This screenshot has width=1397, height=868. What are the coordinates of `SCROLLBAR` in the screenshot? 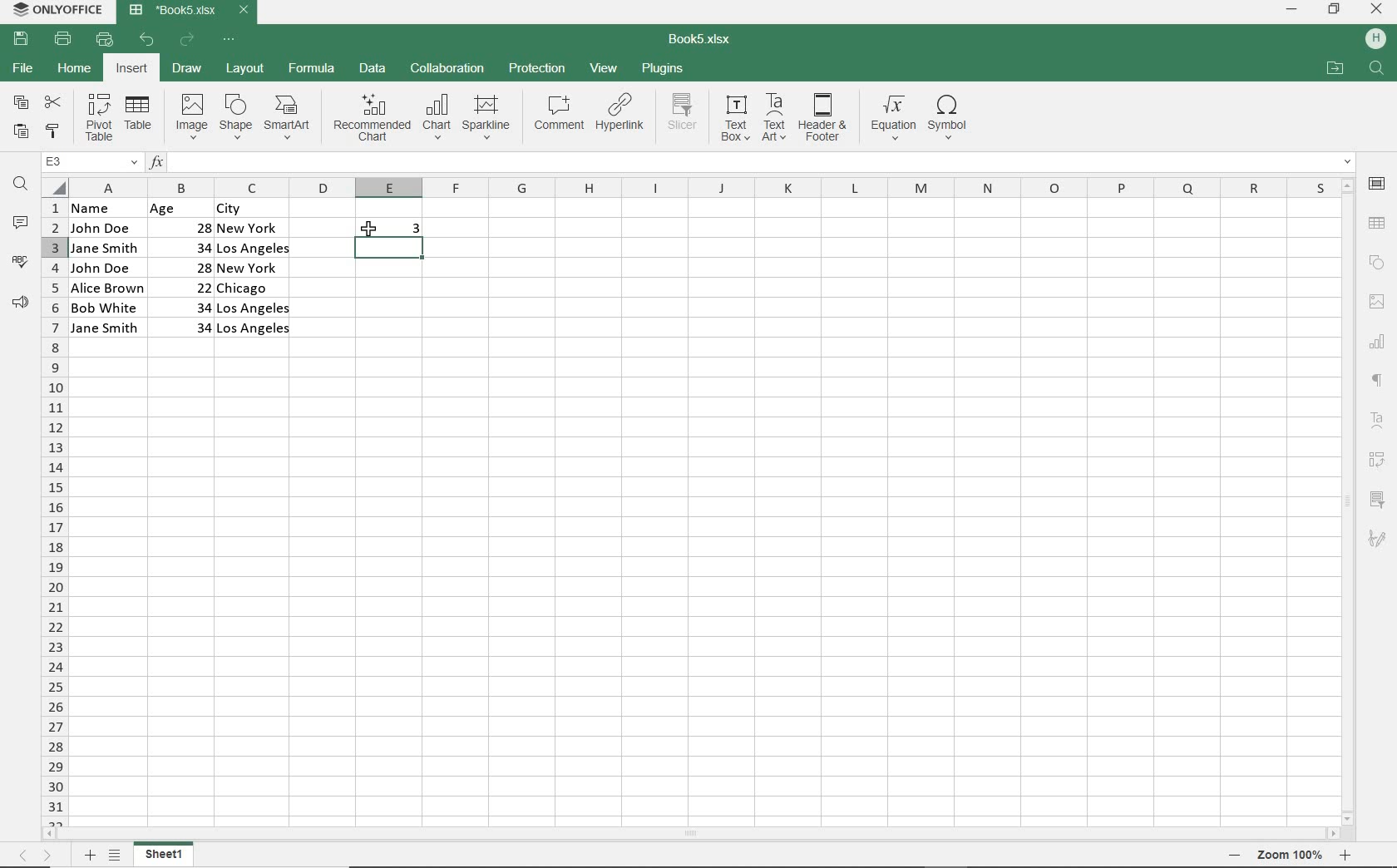 It's located at (692, 834).